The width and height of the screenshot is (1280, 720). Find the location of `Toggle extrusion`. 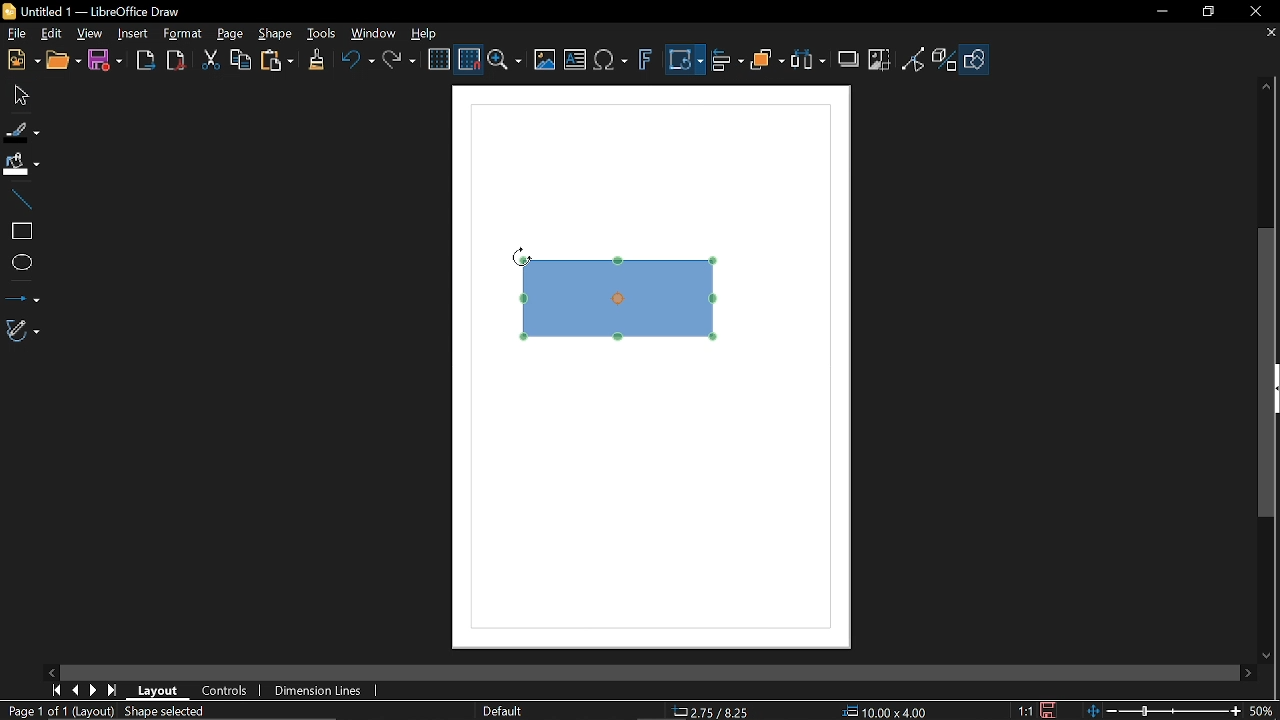

Toggle extrusion is located at coordinates (946, 61).